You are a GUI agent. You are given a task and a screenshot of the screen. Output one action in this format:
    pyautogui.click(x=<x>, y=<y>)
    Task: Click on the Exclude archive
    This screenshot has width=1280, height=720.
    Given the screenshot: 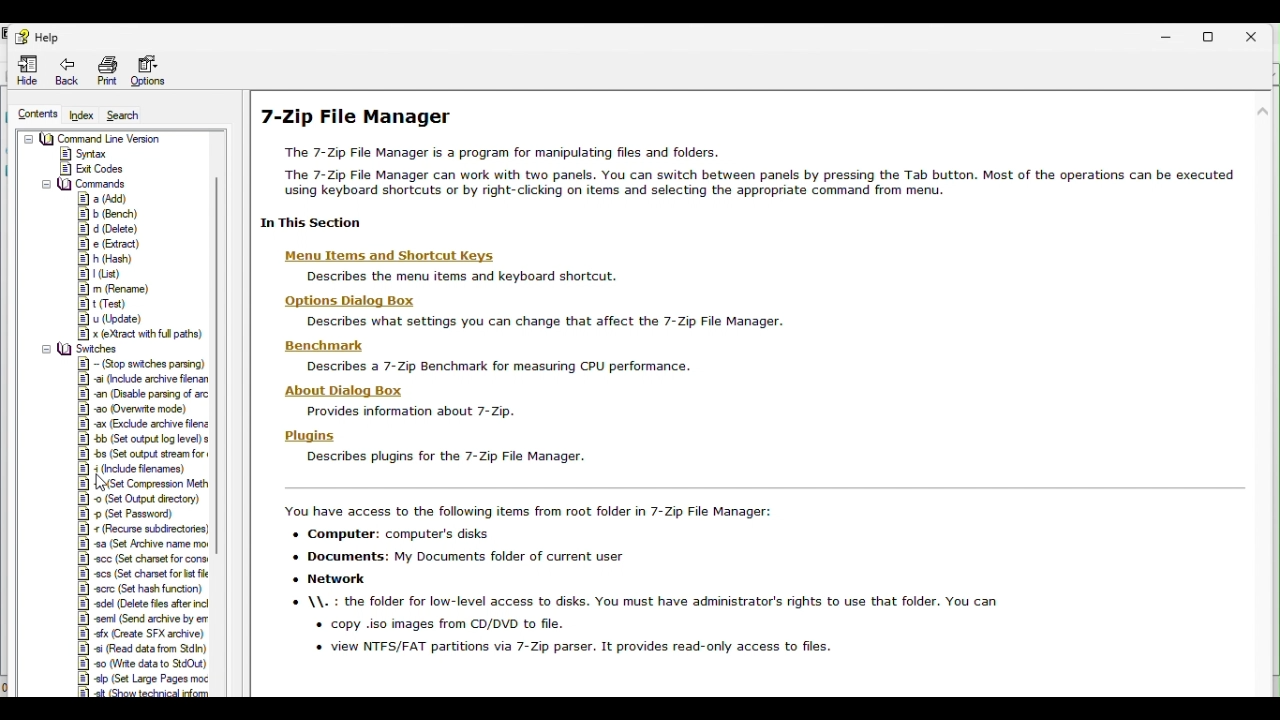 What is the action you would take?
    pyautogui.click(x=142, y=425)
    